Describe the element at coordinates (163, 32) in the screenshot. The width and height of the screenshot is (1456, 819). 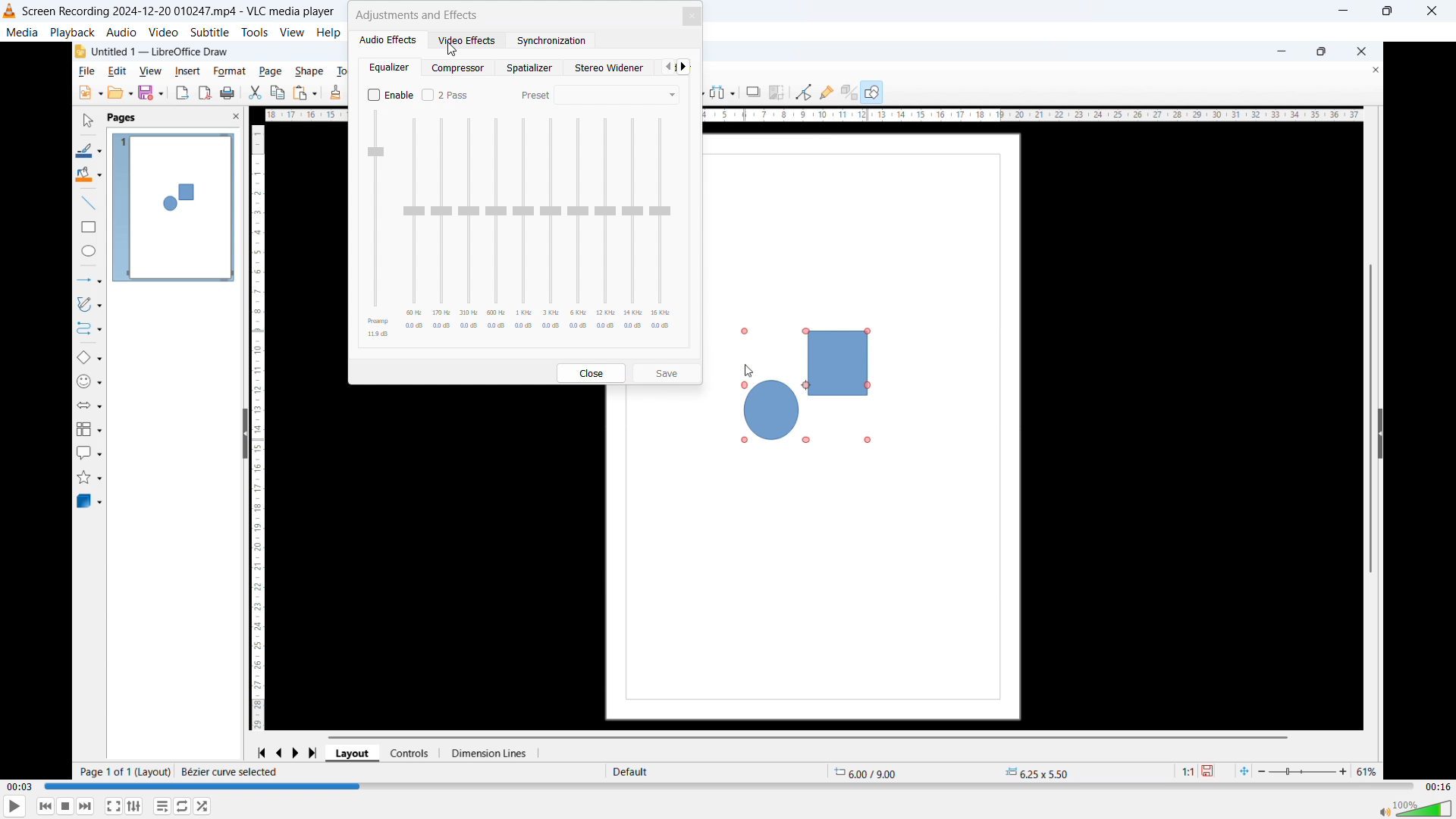
I see `video` at that location.